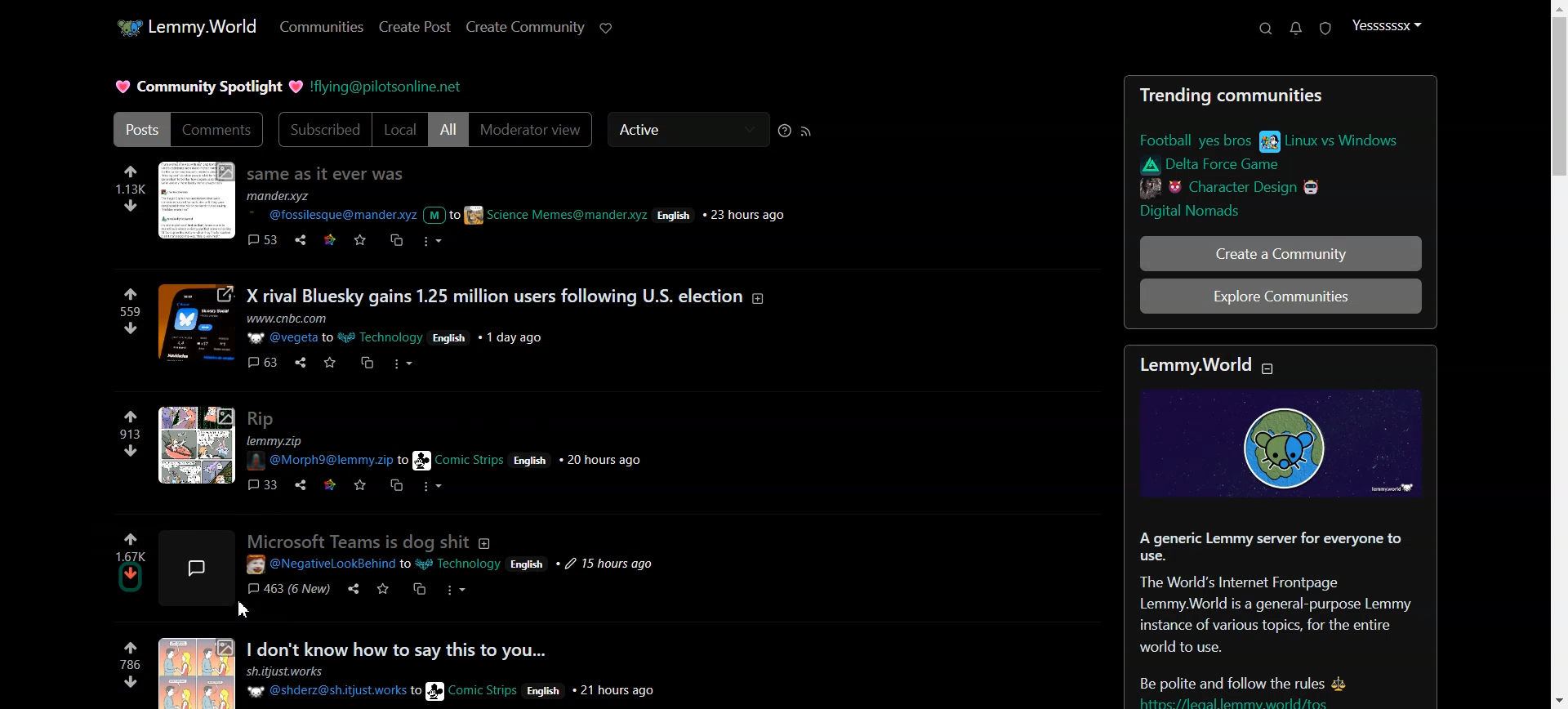 The image size is (1568, 709). I want to click on link, so click(330, 239).